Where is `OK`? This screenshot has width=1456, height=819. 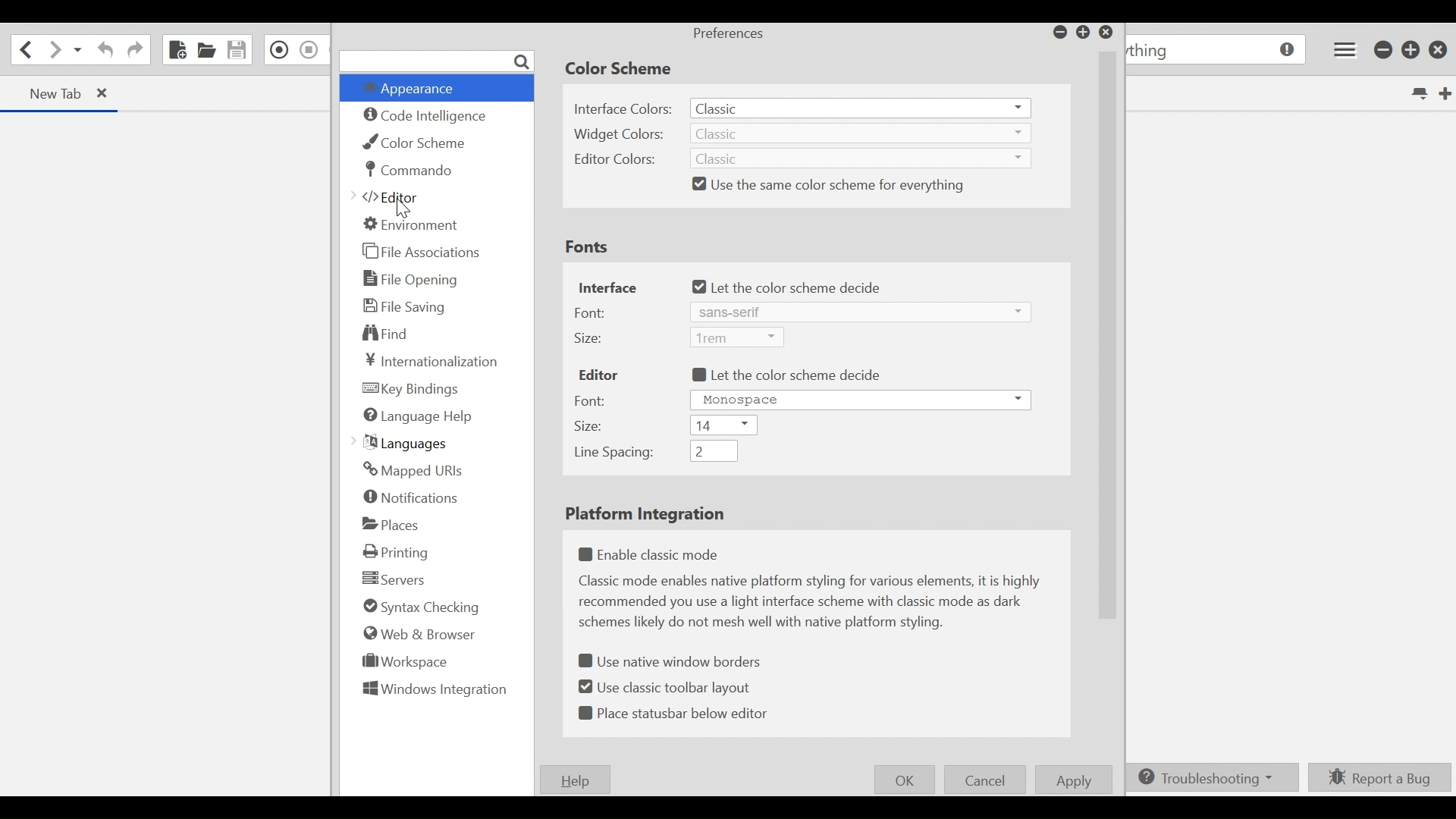
OK is located at coordinates (902, 779).